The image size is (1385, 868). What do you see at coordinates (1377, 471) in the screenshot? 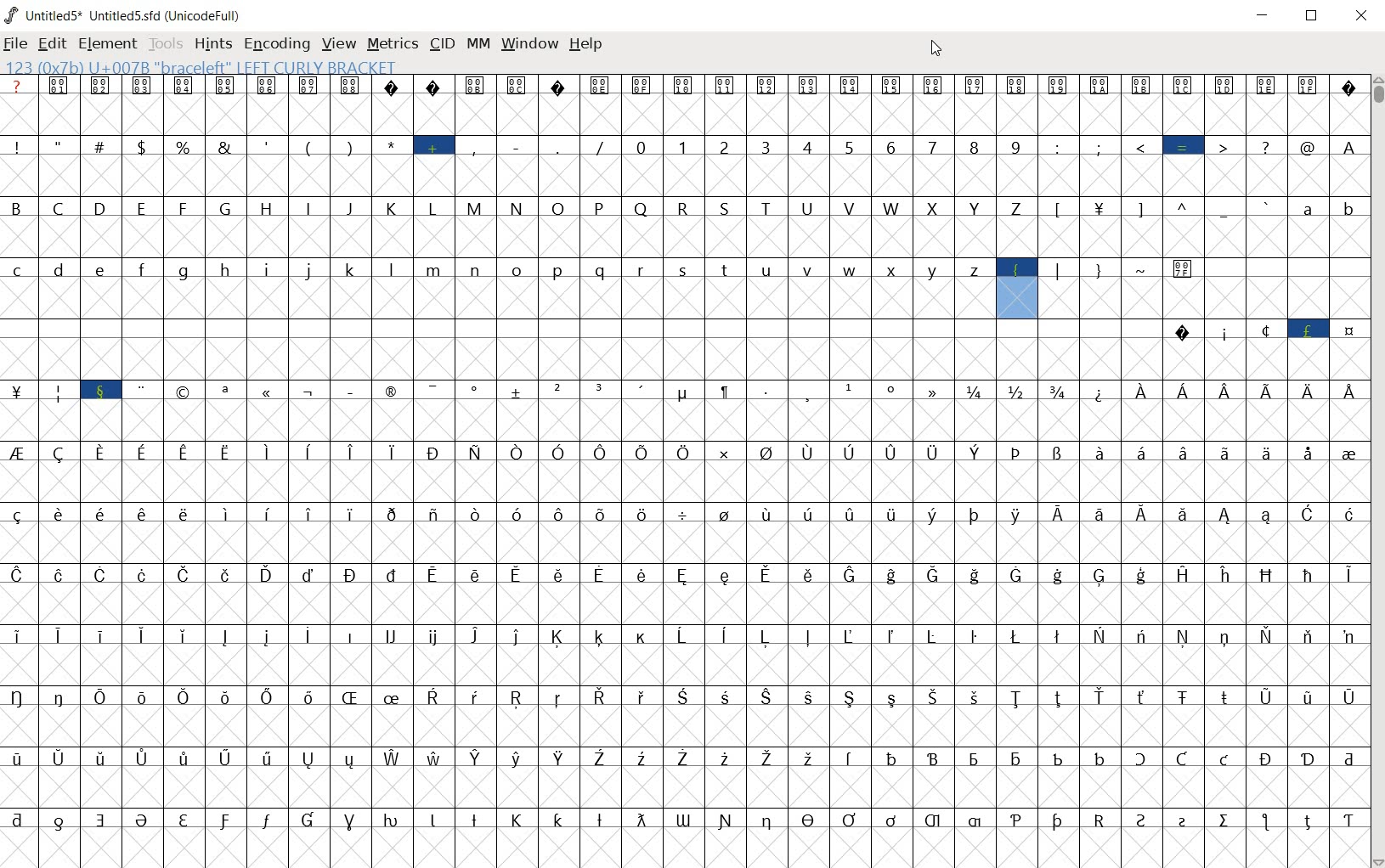
I see `SCROLLBAR` at bounding box center [1377, 471].